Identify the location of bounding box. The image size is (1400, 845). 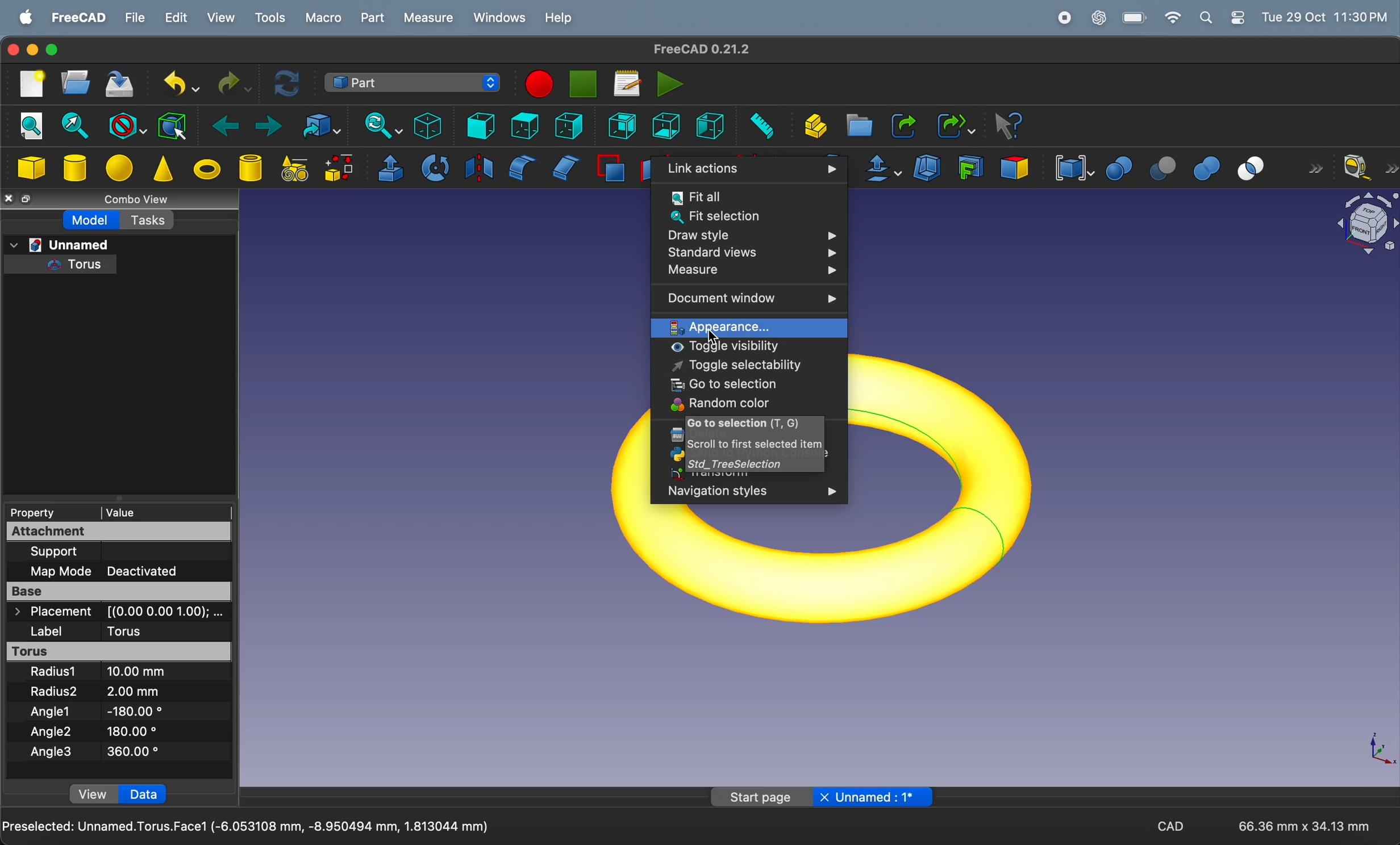
(173, 125).